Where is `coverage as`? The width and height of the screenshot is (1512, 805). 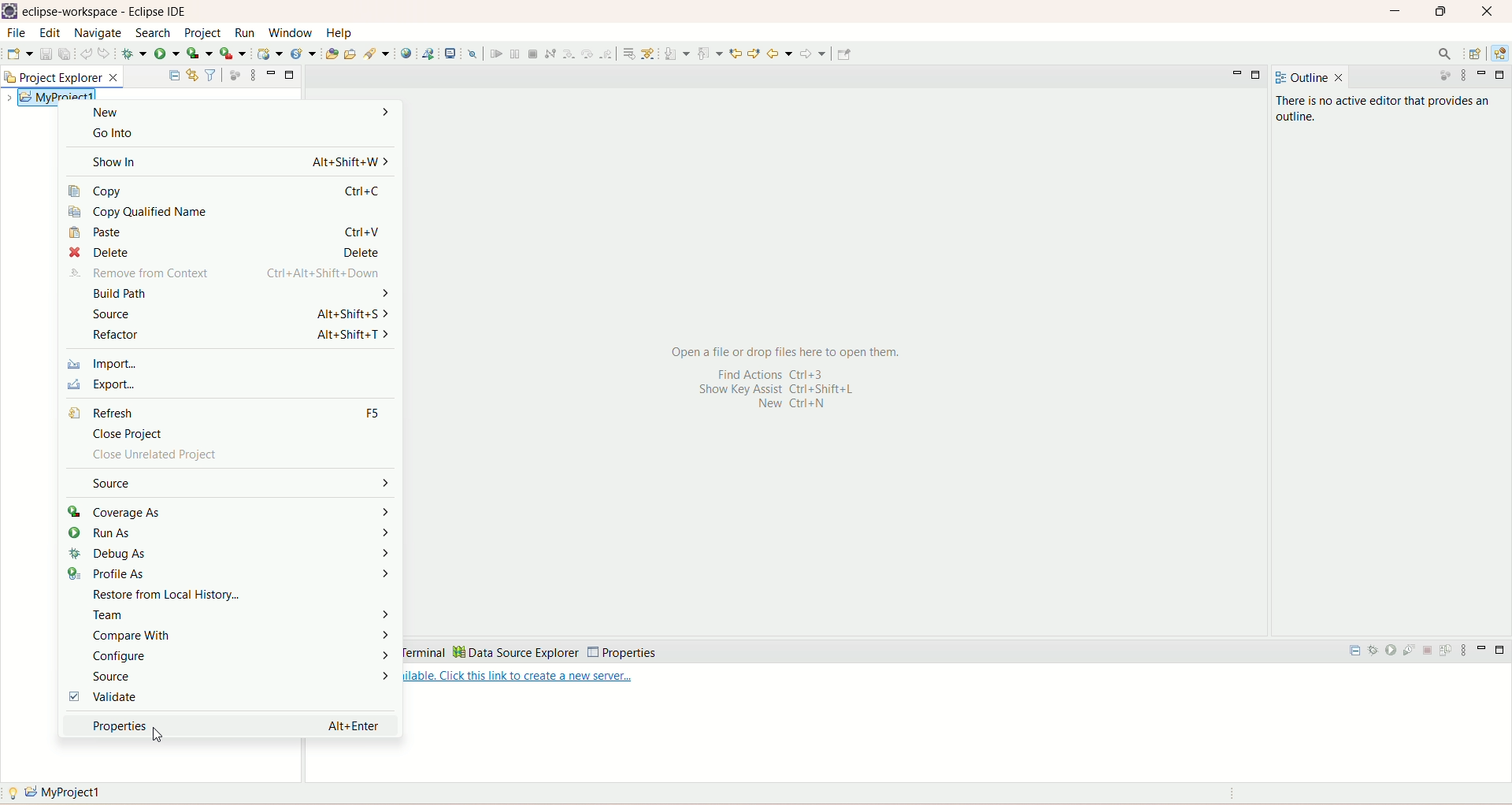 coverage as is located at coordinates (230, 510).